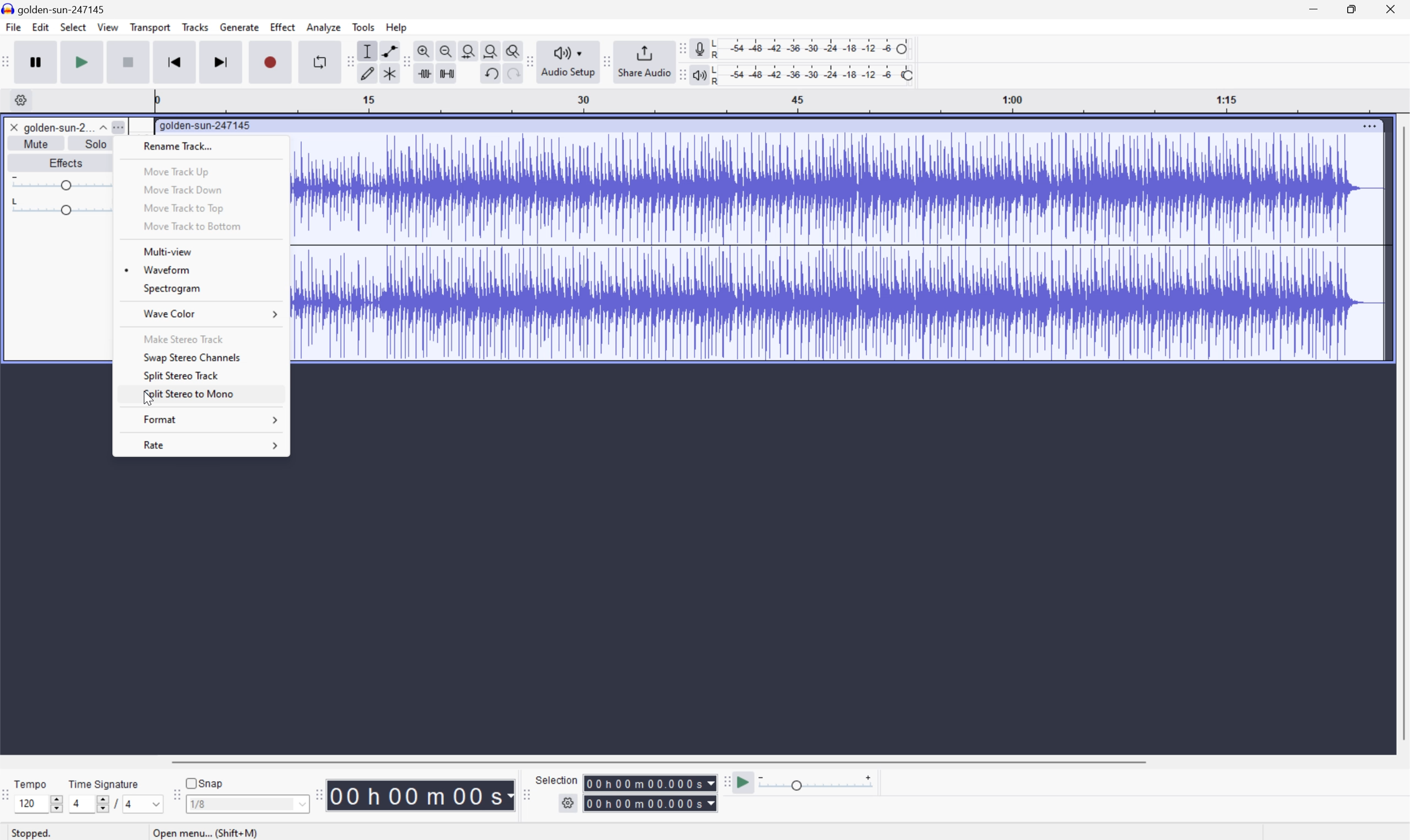  What do you see at coordinates (151, 27) in the screenshot?
I see `Transport` at bounding box center [151, 27].